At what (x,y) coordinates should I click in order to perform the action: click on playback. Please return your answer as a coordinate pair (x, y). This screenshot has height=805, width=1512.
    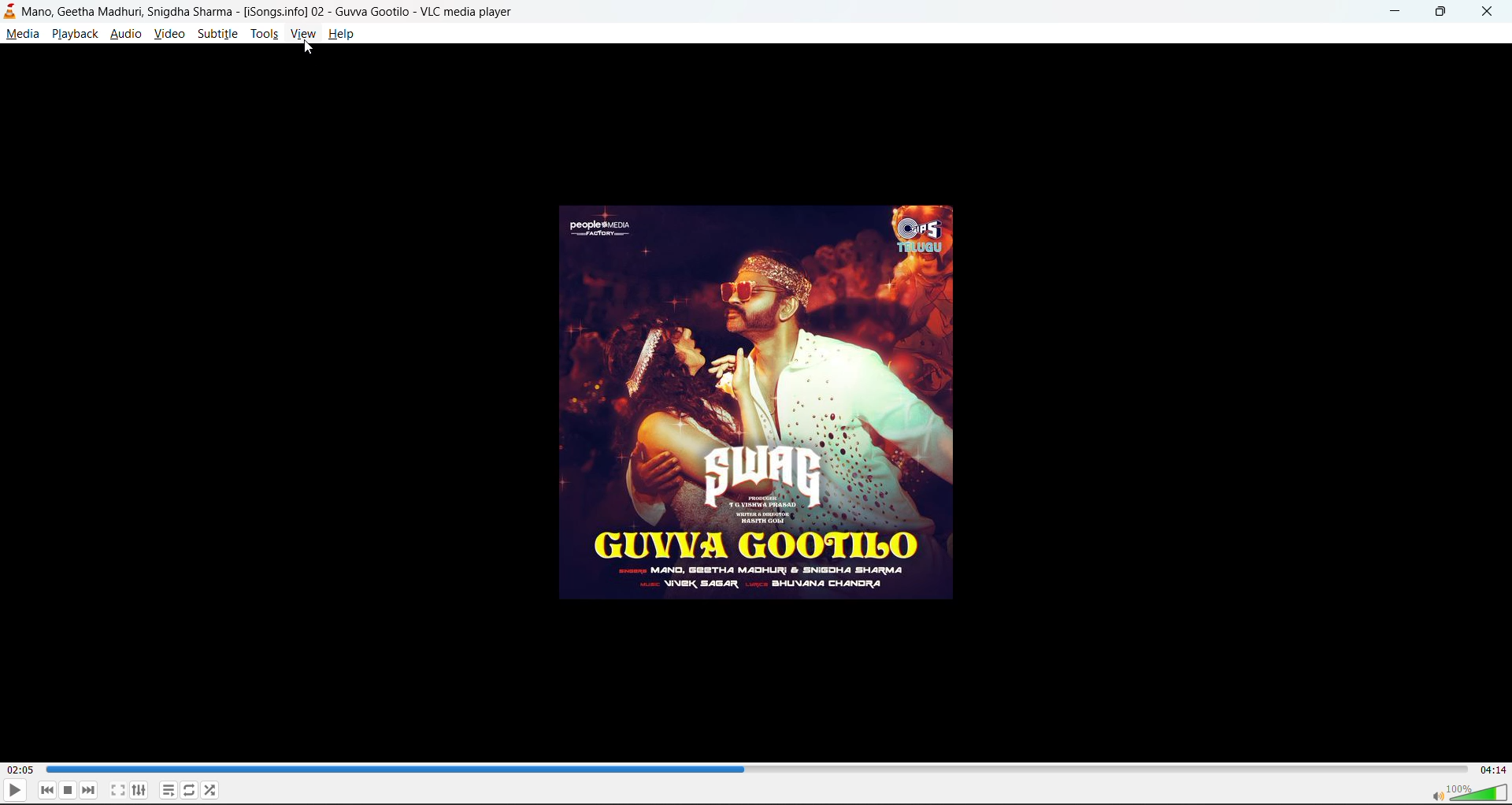
    Looking at the image, I should click on (75, 35).